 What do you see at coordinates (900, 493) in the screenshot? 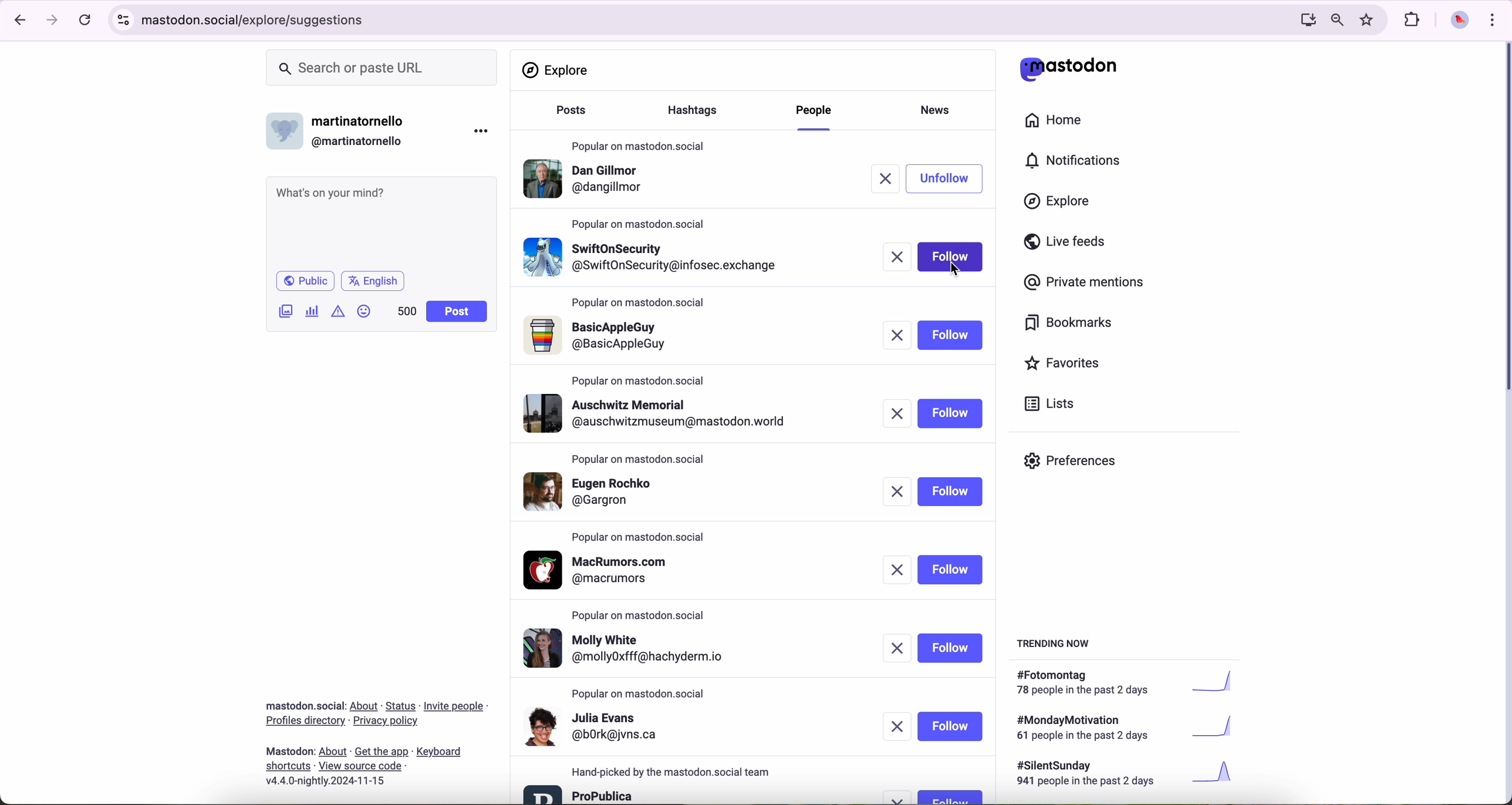
I see `remove` at bounding box center [900, 493].